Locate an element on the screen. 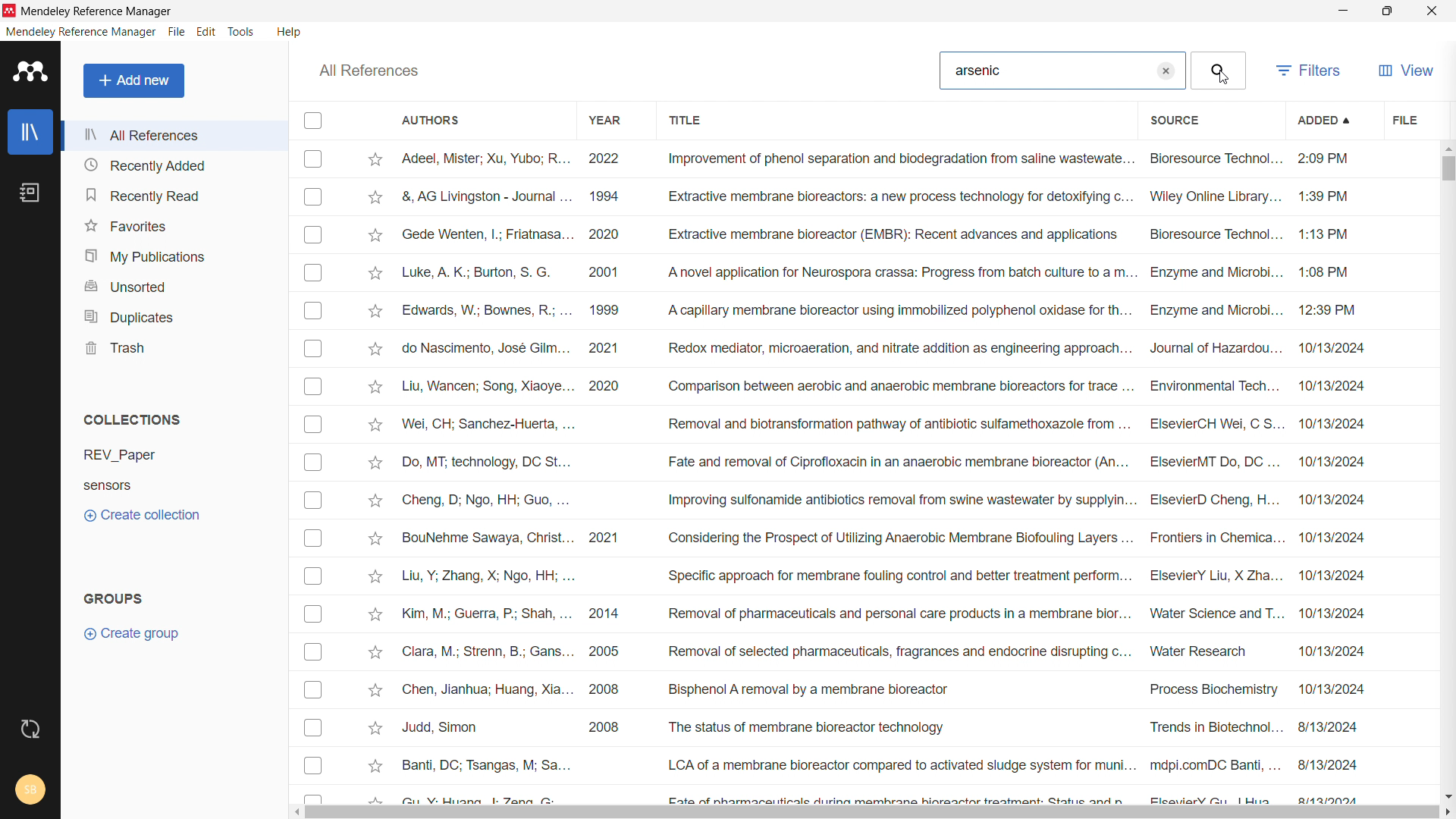 Image resolution: width=1456 pixels, height=819 pixels. favorites is located at coordinates (175, 224).